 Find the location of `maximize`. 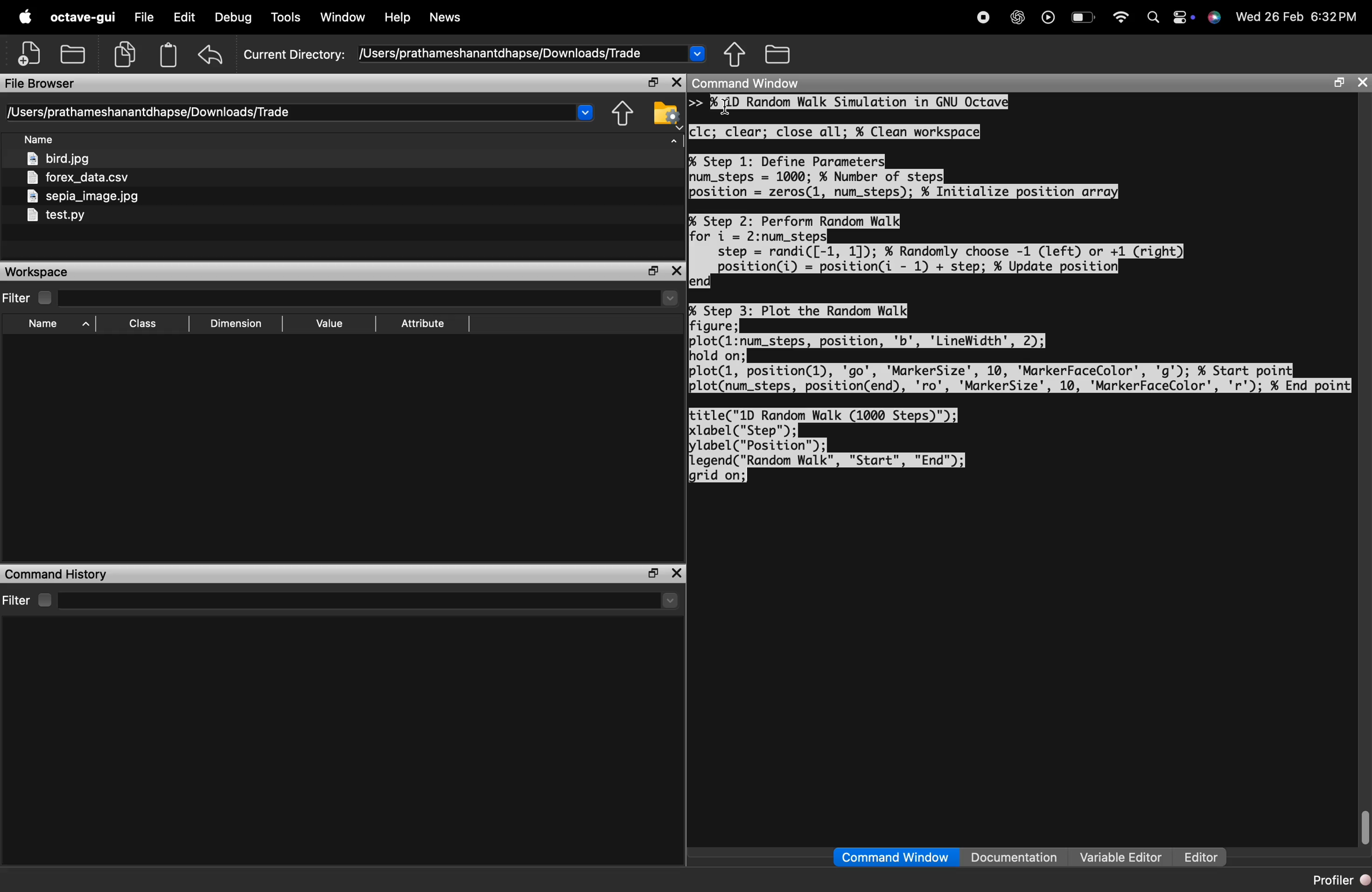

maximize is located at coordinates (653, 270).